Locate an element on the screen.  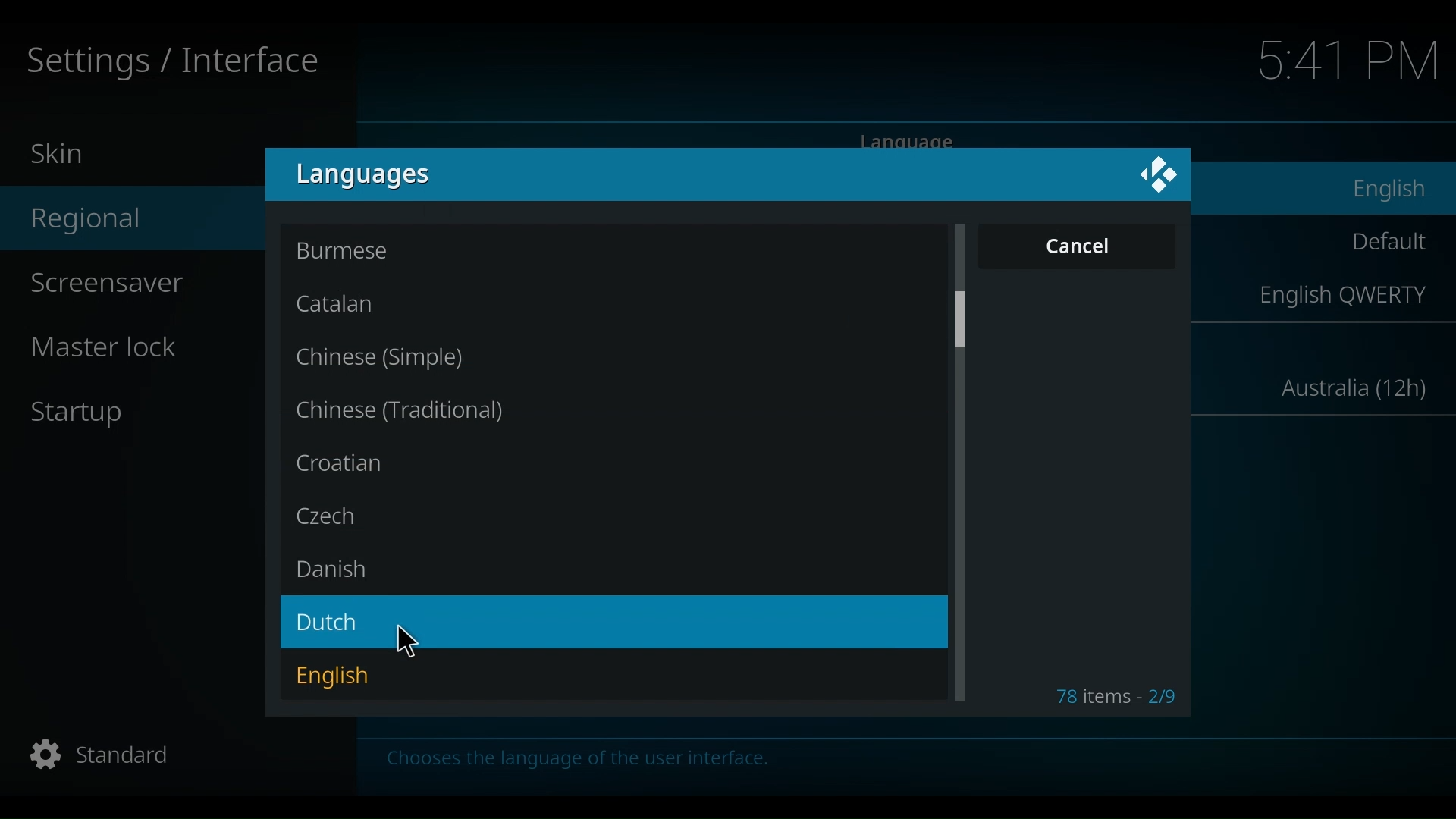
Croatian is located at coordinates (345, 462).